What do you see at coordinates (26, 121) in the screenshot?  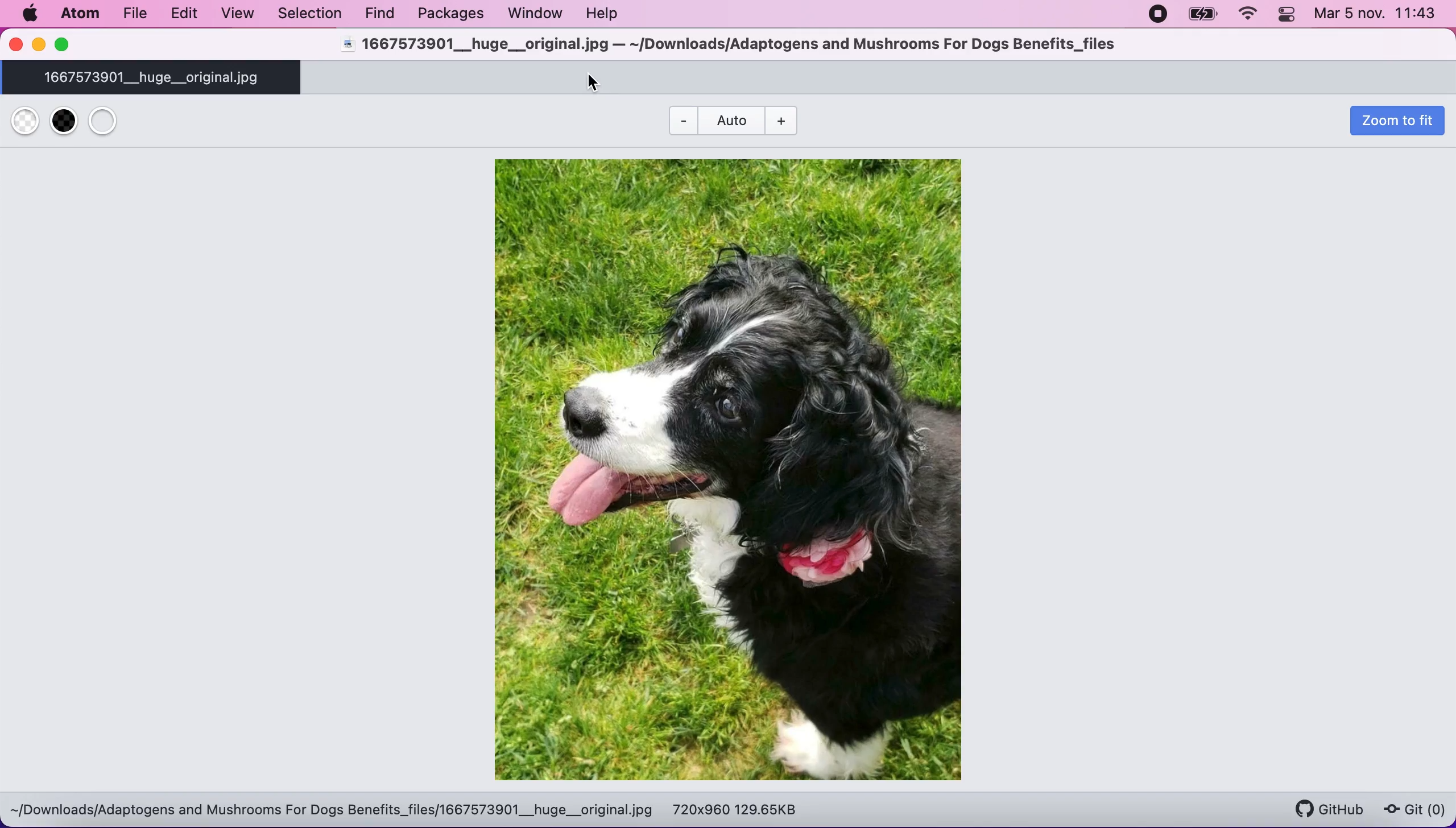 I see `use white transparent backgrouns` at bounding box center [26, 121].